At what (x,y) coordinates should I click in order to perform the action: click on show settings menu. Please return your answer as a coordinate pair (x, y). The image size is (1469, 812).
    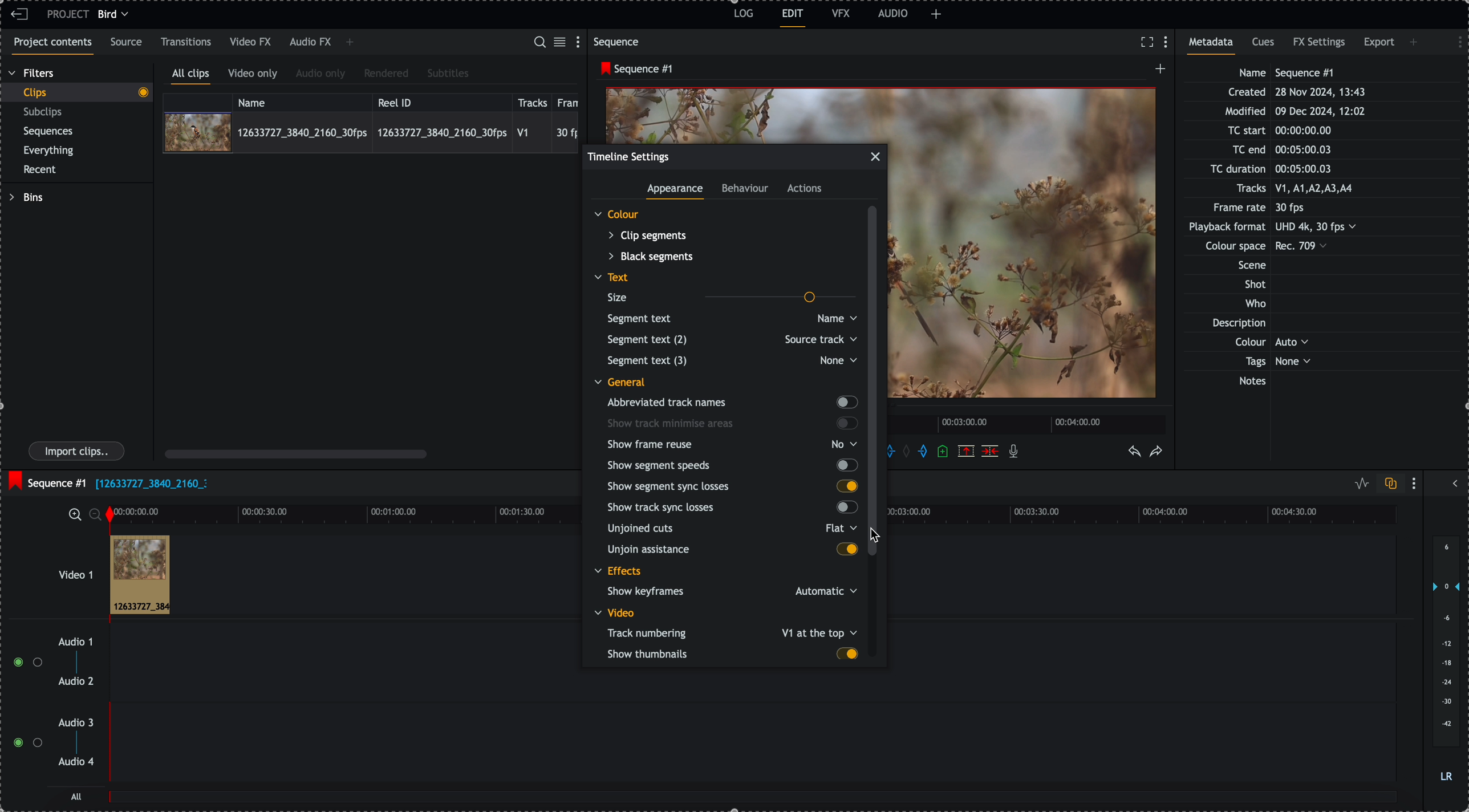
    Looking at the image, I should click on (1168, 43).